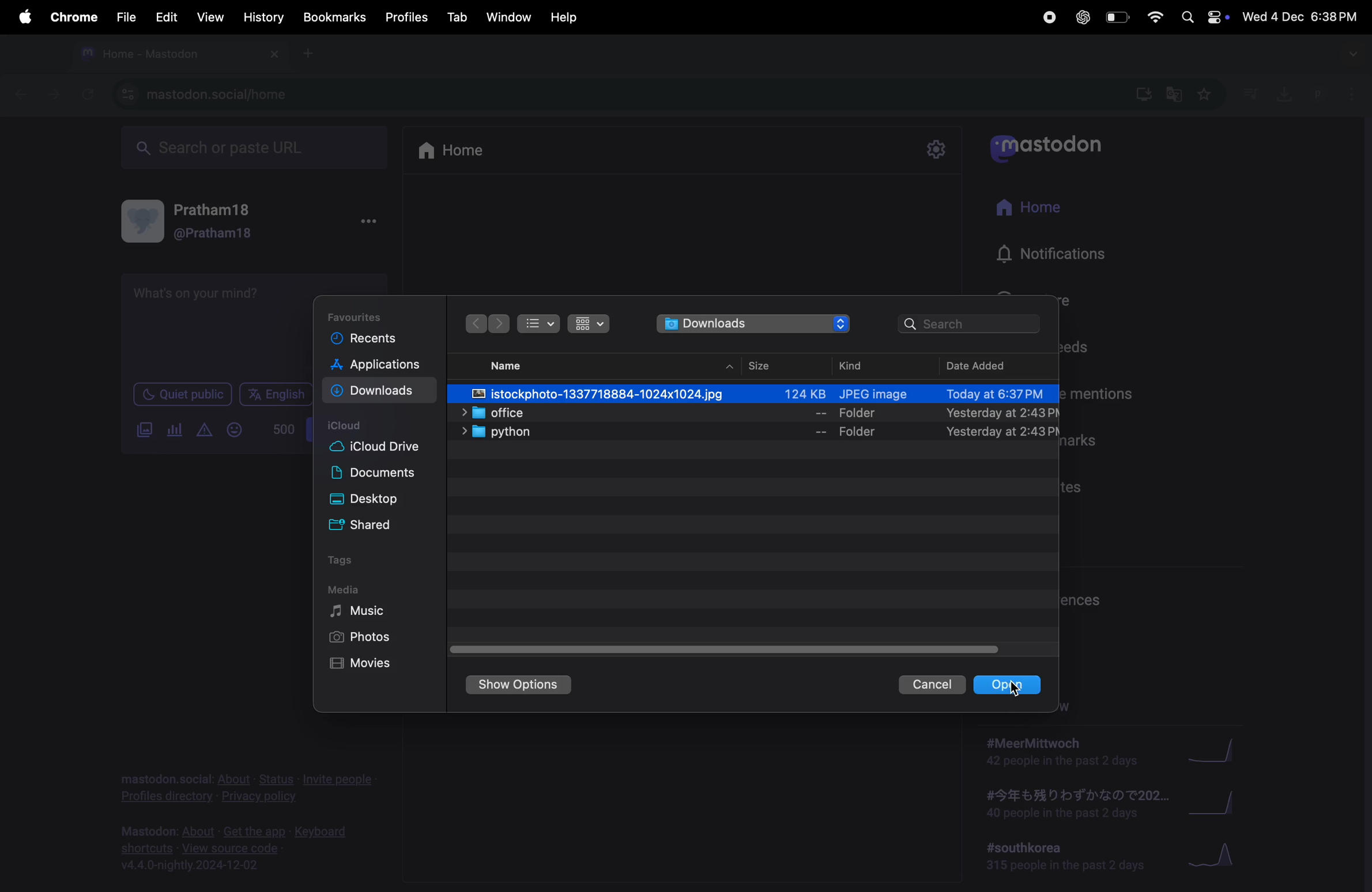 The image size is (1372, 892). Describe the element at coordinates (753, 326) in the screenshot. I see `down loads` at that location.